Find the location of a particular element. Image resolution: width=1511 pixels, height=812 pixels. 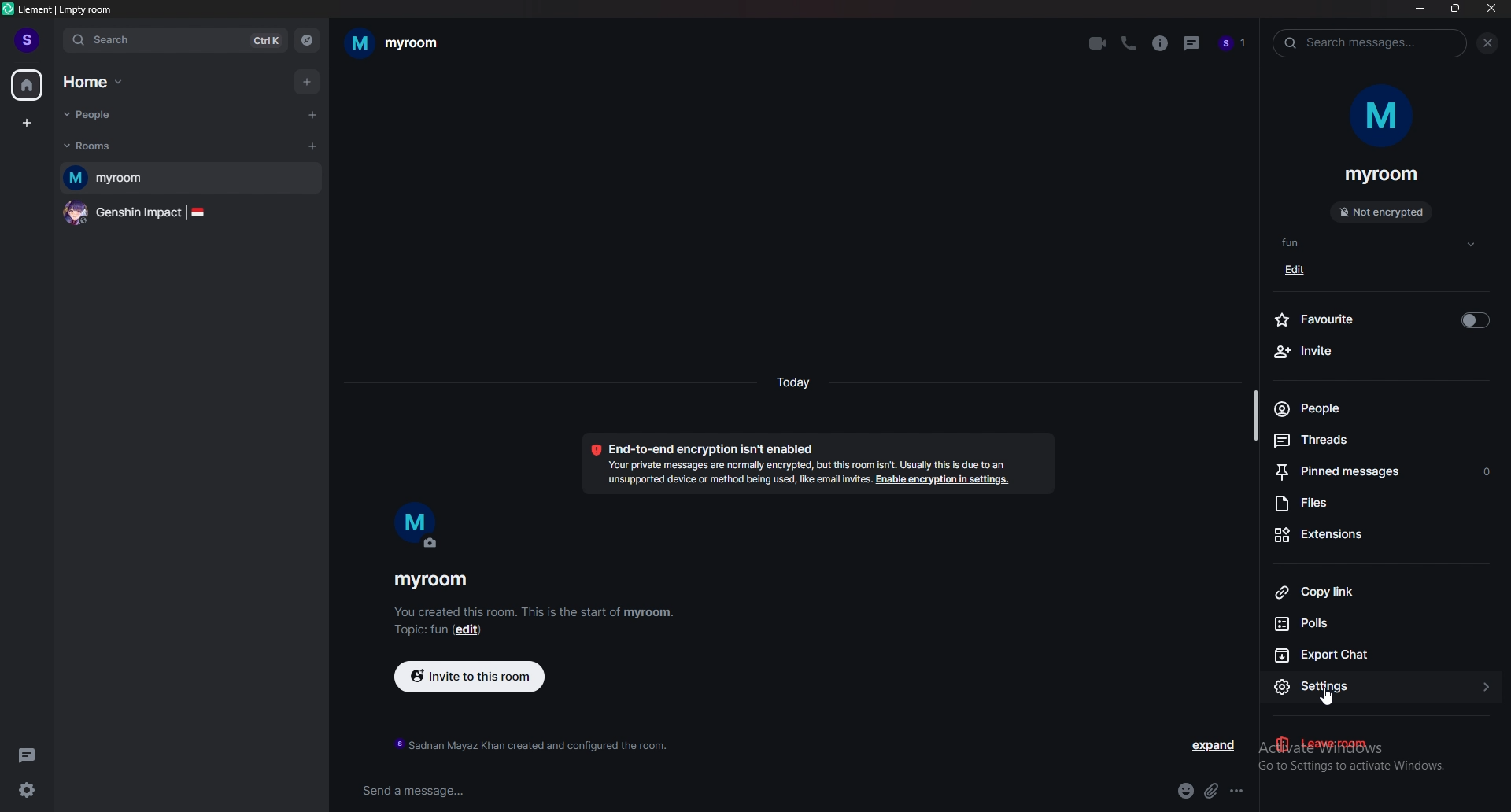

search messages is located at coordinates (1374, 42).